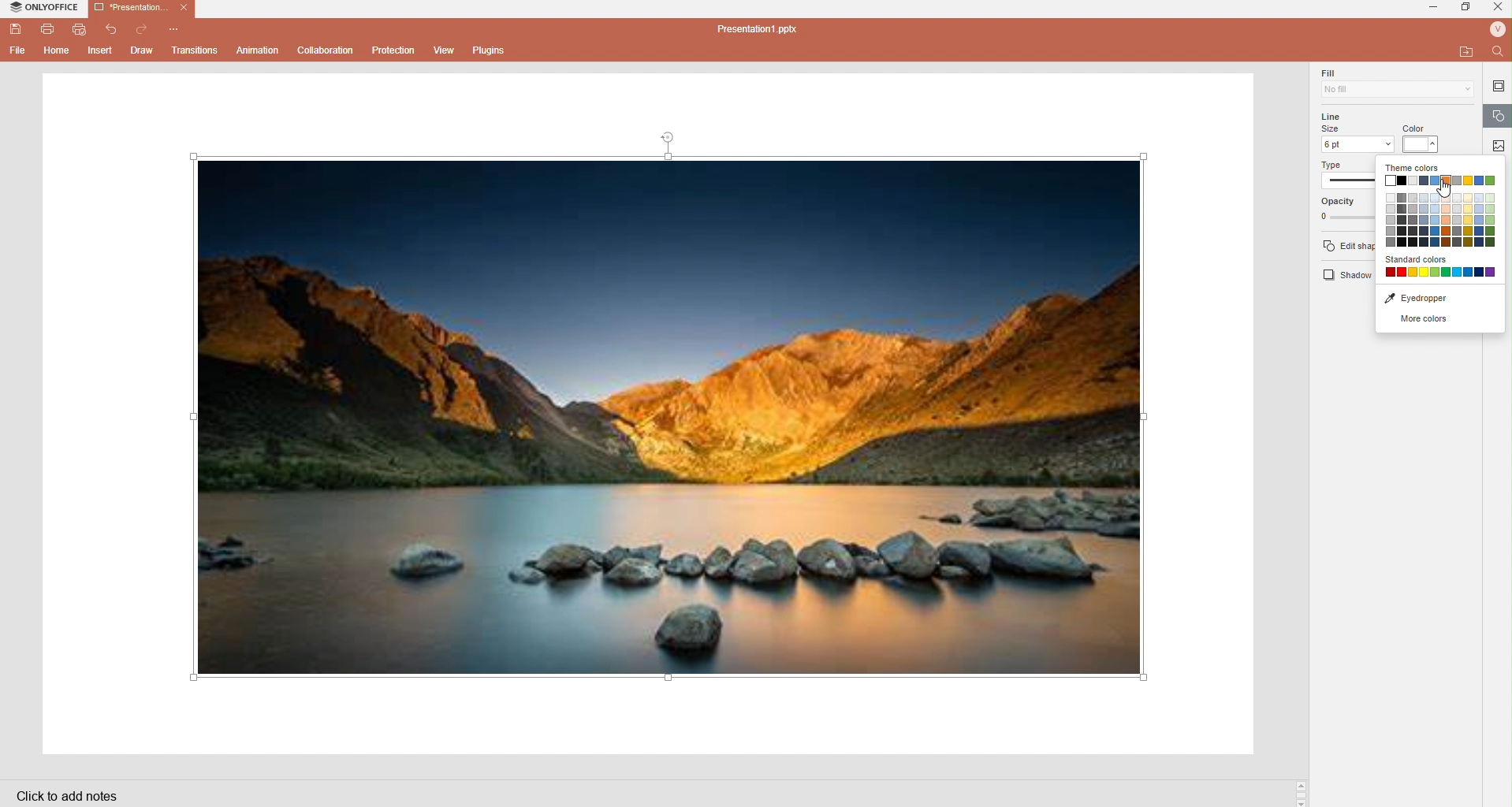 The height and width of the screenshot is (807, 1512). Describe the element at coordinates (143, 28) in the screenshot. I see `Redo` at that location.